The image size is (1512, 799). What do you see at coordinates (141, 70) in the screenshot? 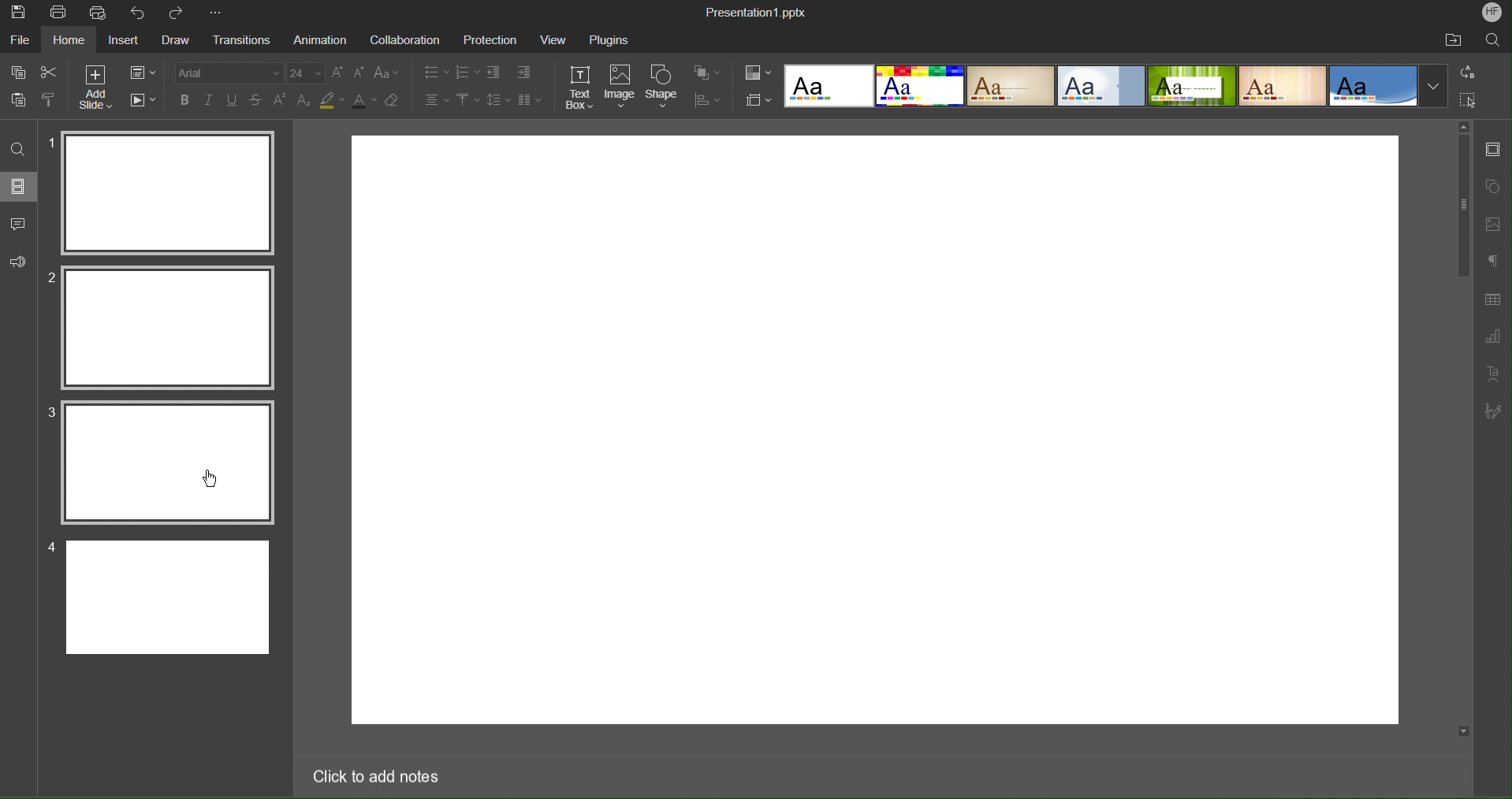
I see `Slide Settings` at bounding box center [141, 70].